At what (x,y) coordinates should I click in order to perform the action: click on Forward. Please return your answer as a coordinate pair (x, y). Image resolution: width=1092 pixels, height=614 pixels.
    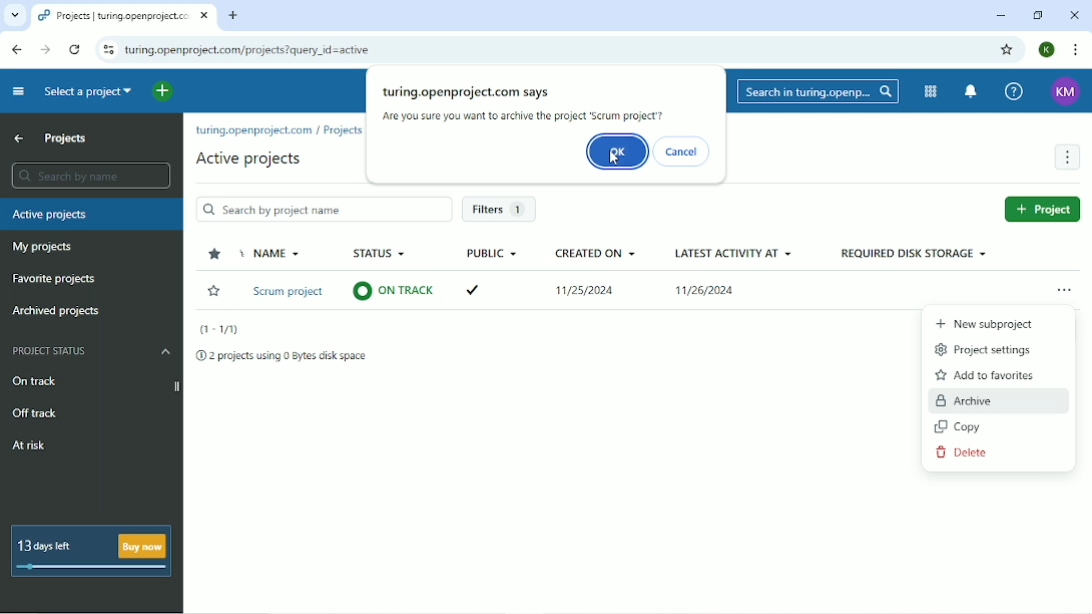
    Looking at the image, I should click on (45, 50).